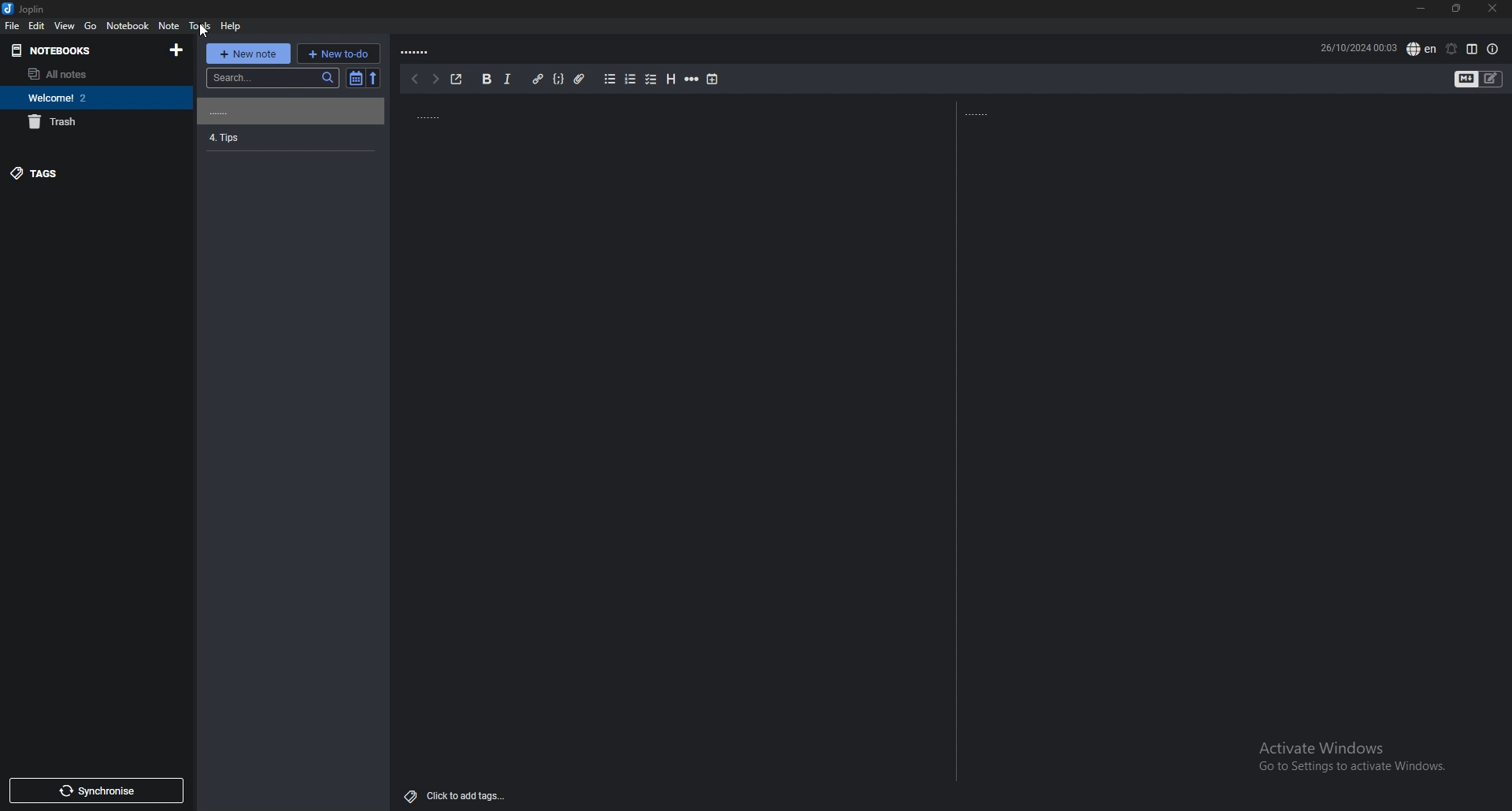 The width and height of the screenshot is (1512, 811). What do you see at coordinates (177, 50) in the screenshot?
I see `add notebooks` at bounding box center [177, 50].